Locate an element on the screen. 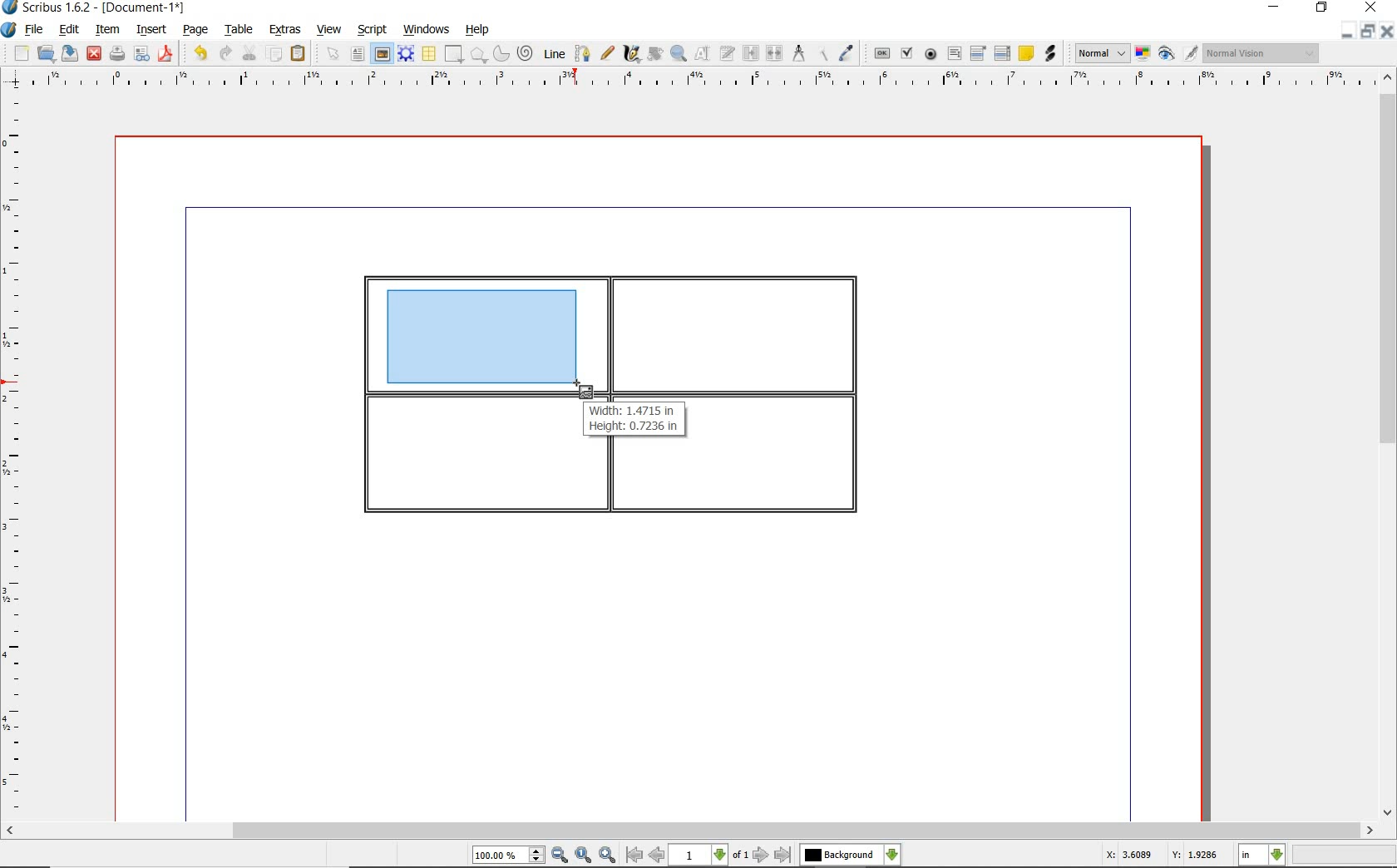 The width and height of the screenshot is (1397, 868). ruler is located at coordinates (16, 455).